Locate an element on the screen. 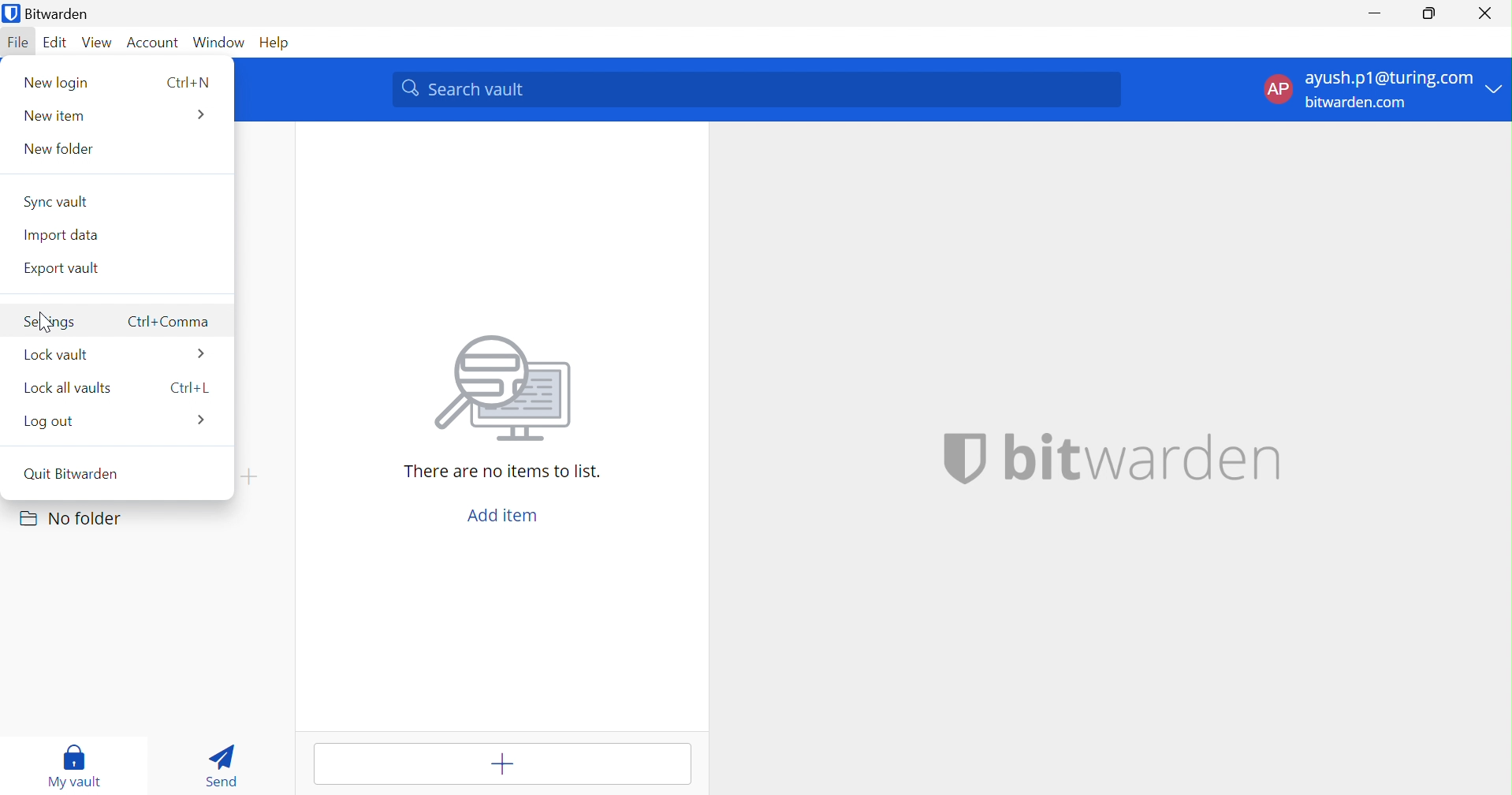 This screenshot has width=1512, height=795. Log out is located at coordinates (50, 421).